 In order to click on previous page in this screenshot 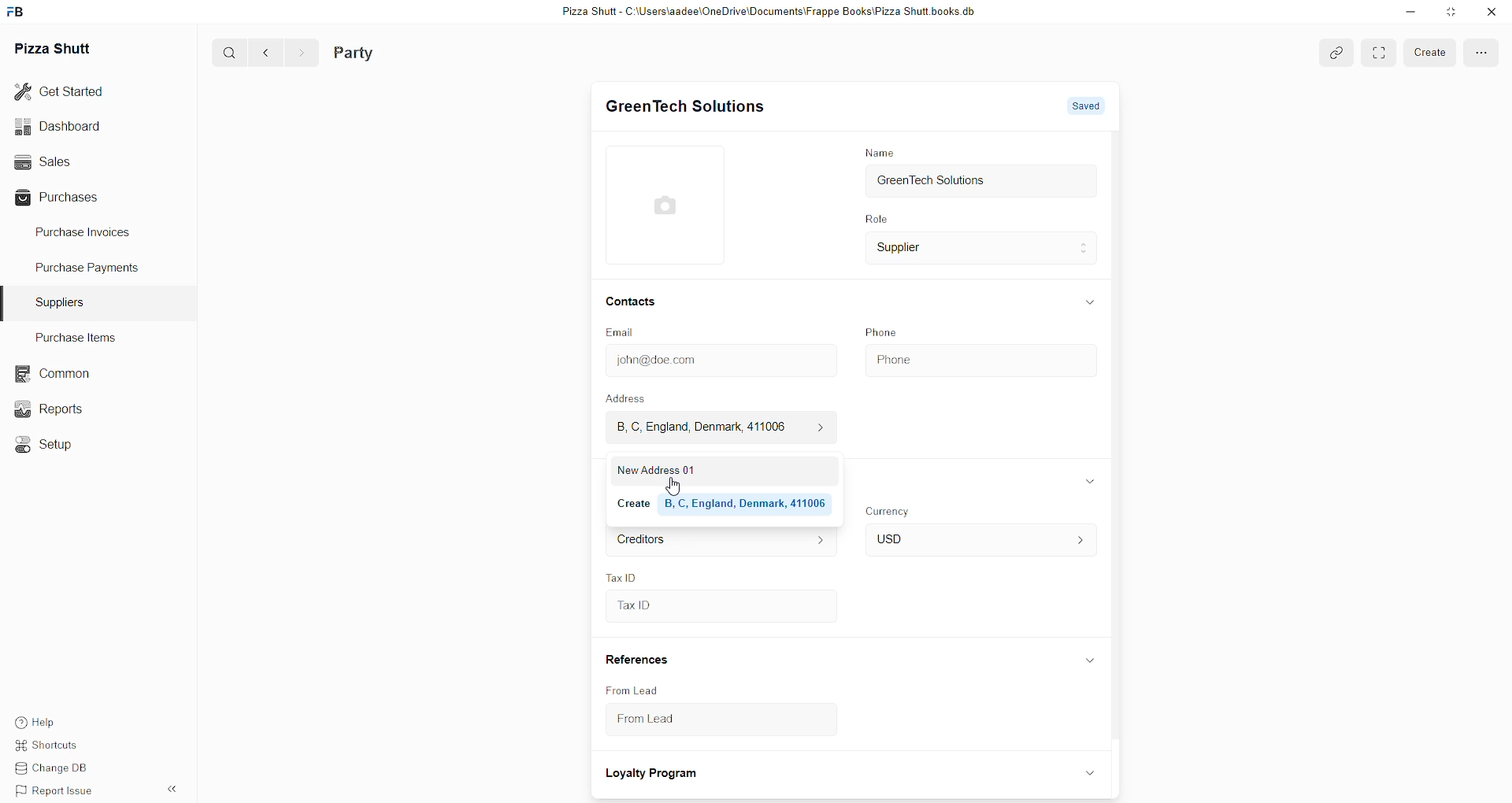, I will do `click(263, 53)`.